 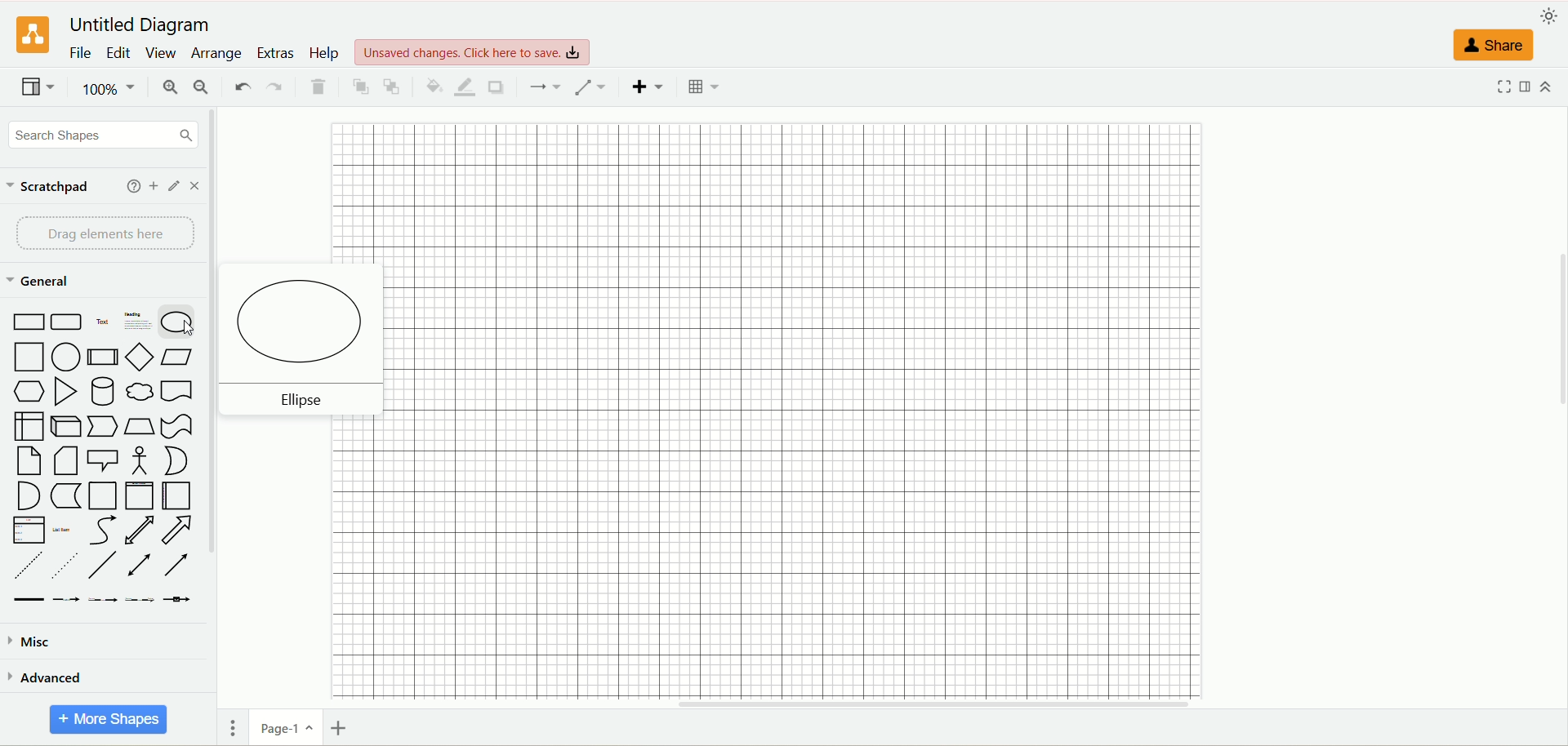 What do you see at coordinates (32, 643) in the screenshot?
I see `misc` at bounding box center [32, 643].